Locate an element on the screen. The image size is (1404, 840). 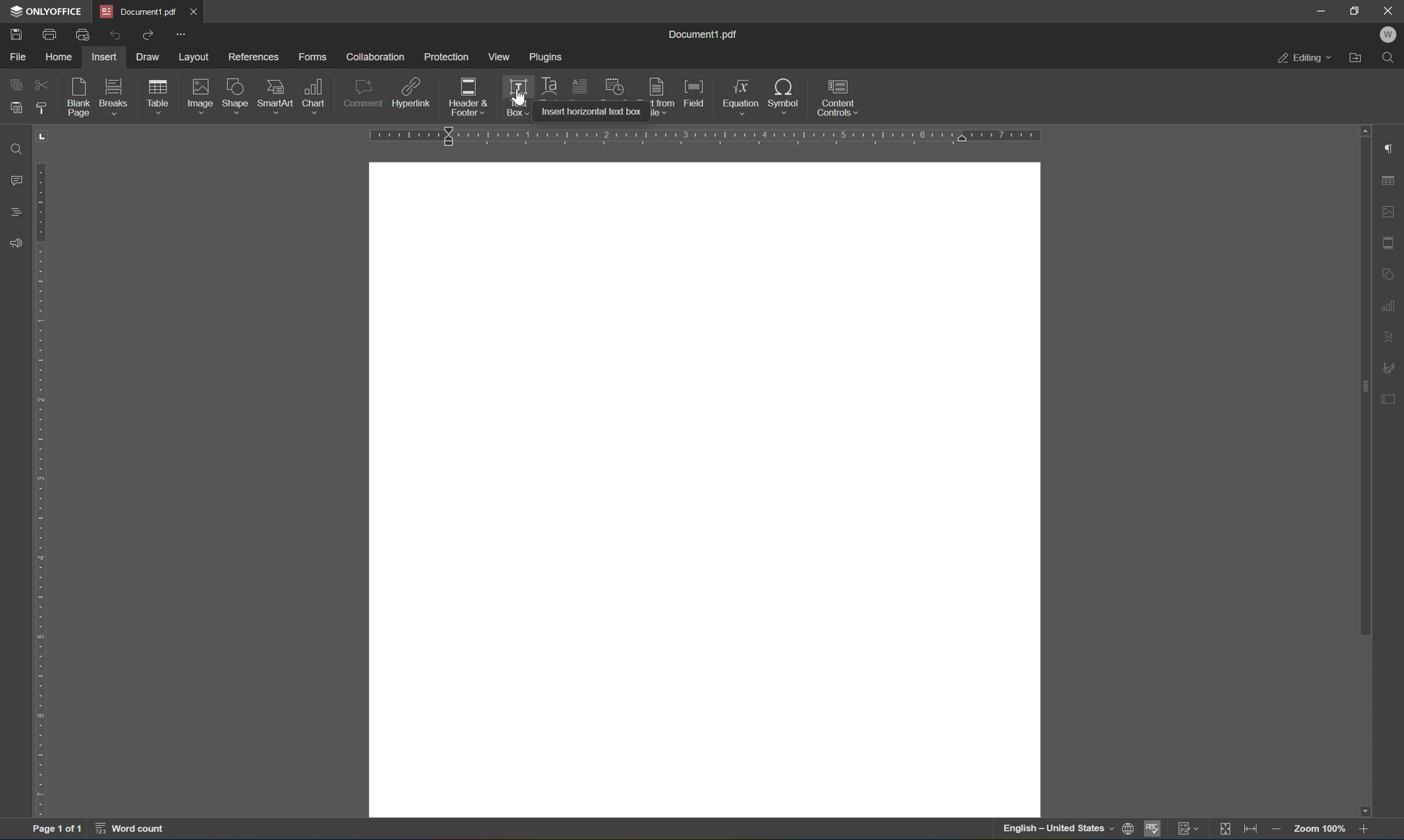
zoom in is located at coordinates (1364, 830).